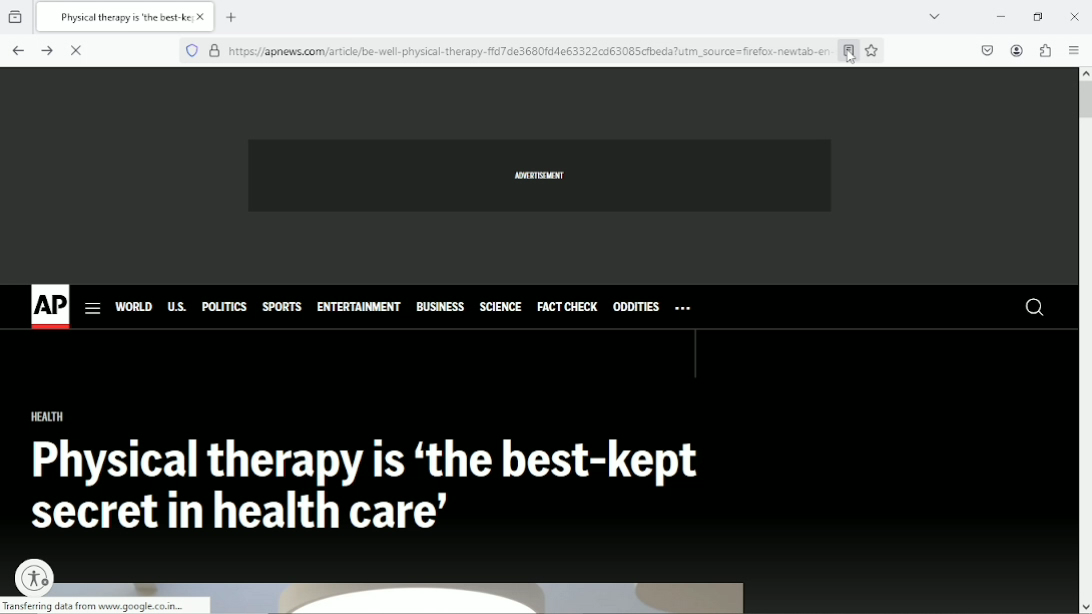 This screenshot has width=1092, height=614. I want to click on Physical therapy is ‘the best-kept secret in health care’, so click(377, 483).